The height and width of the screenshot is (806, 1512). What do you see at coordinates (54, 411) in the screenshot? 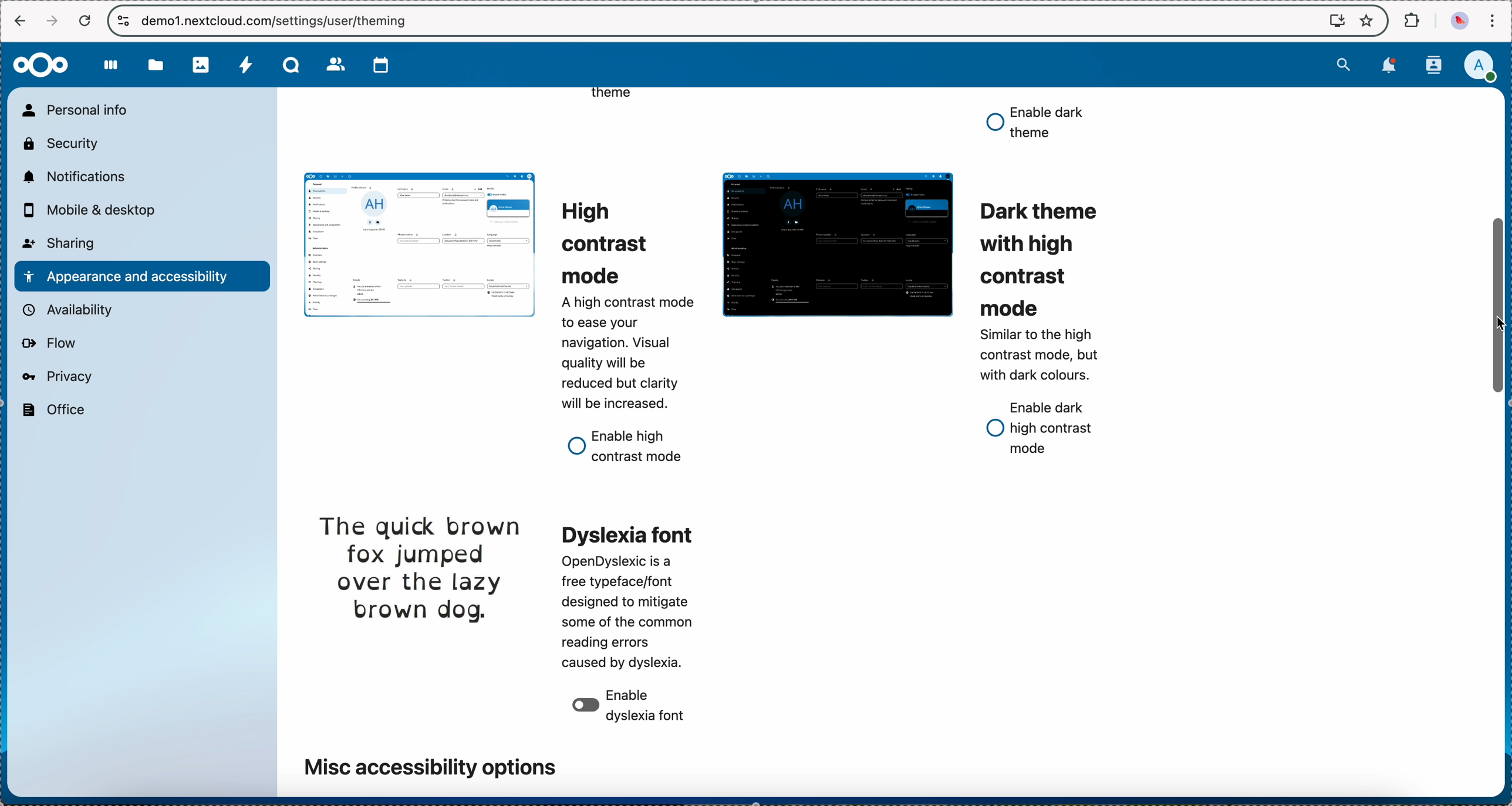
I see `office` at bounding box center [54, 411].